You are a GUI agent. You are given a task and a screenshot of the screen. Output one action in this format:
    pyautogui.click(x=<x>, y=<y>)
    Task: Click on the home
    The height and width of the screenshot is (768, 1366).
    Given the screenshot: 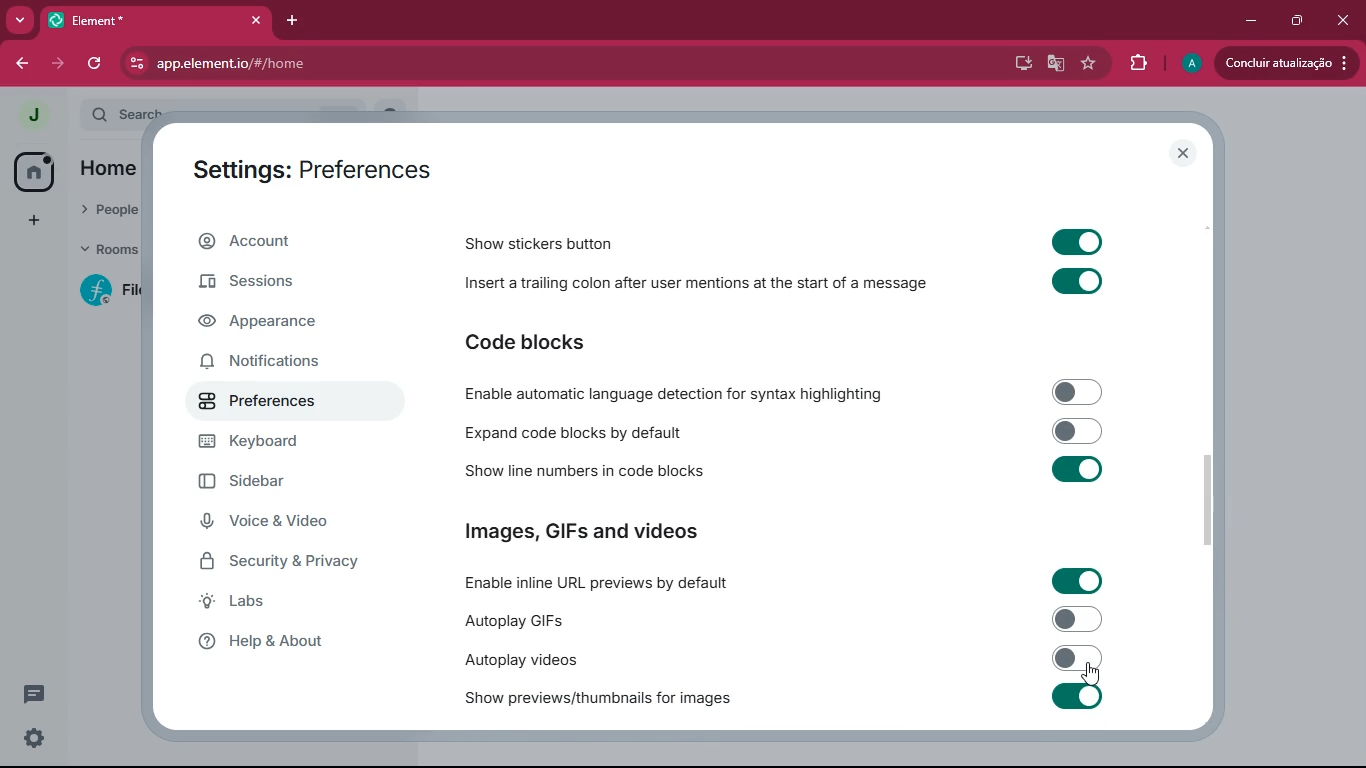 What is the action you would take?
    pyautogui.click(x=107, y=171)
    